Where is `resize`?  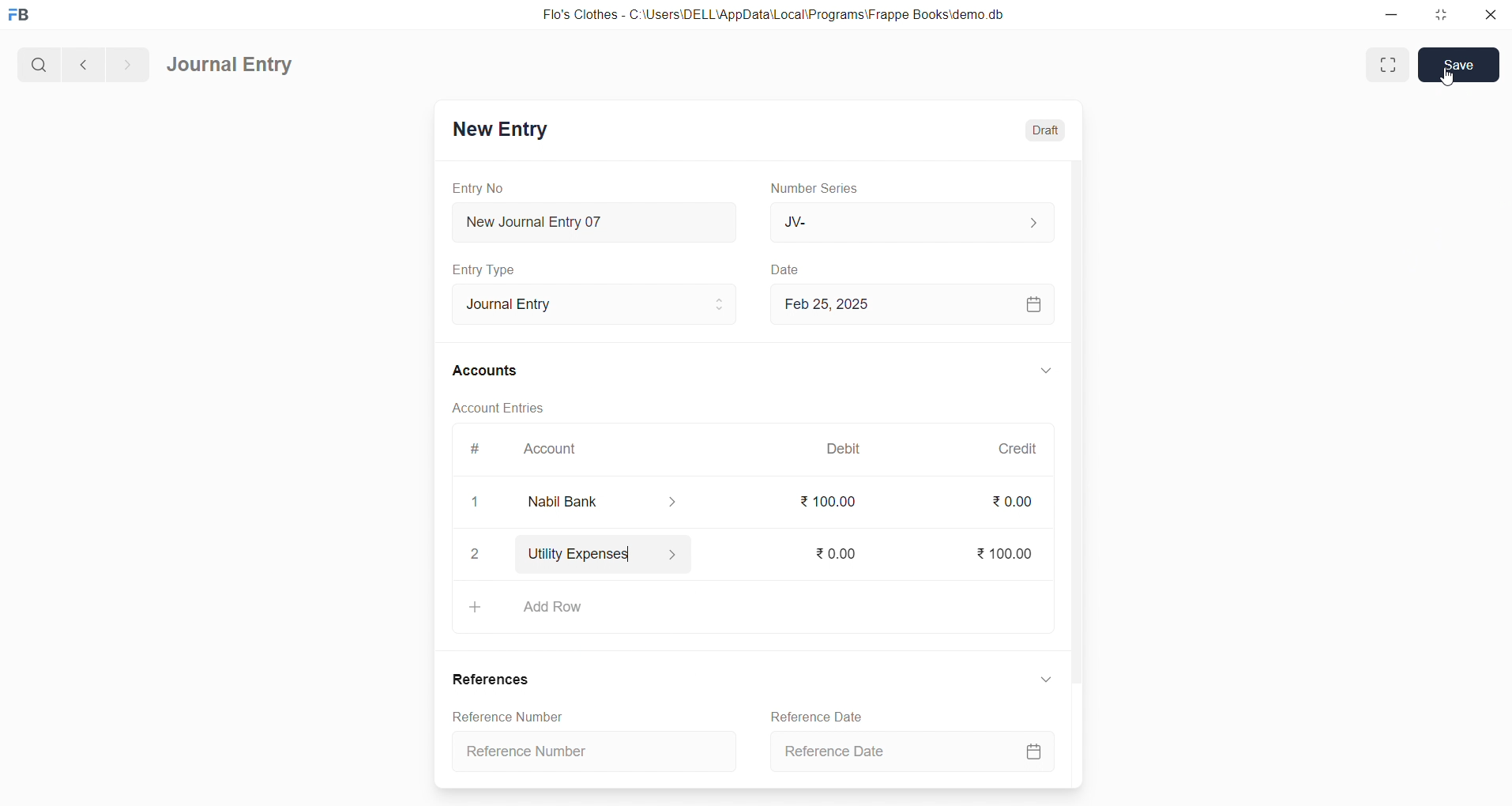 resize is located at coordinates (1439, 14).